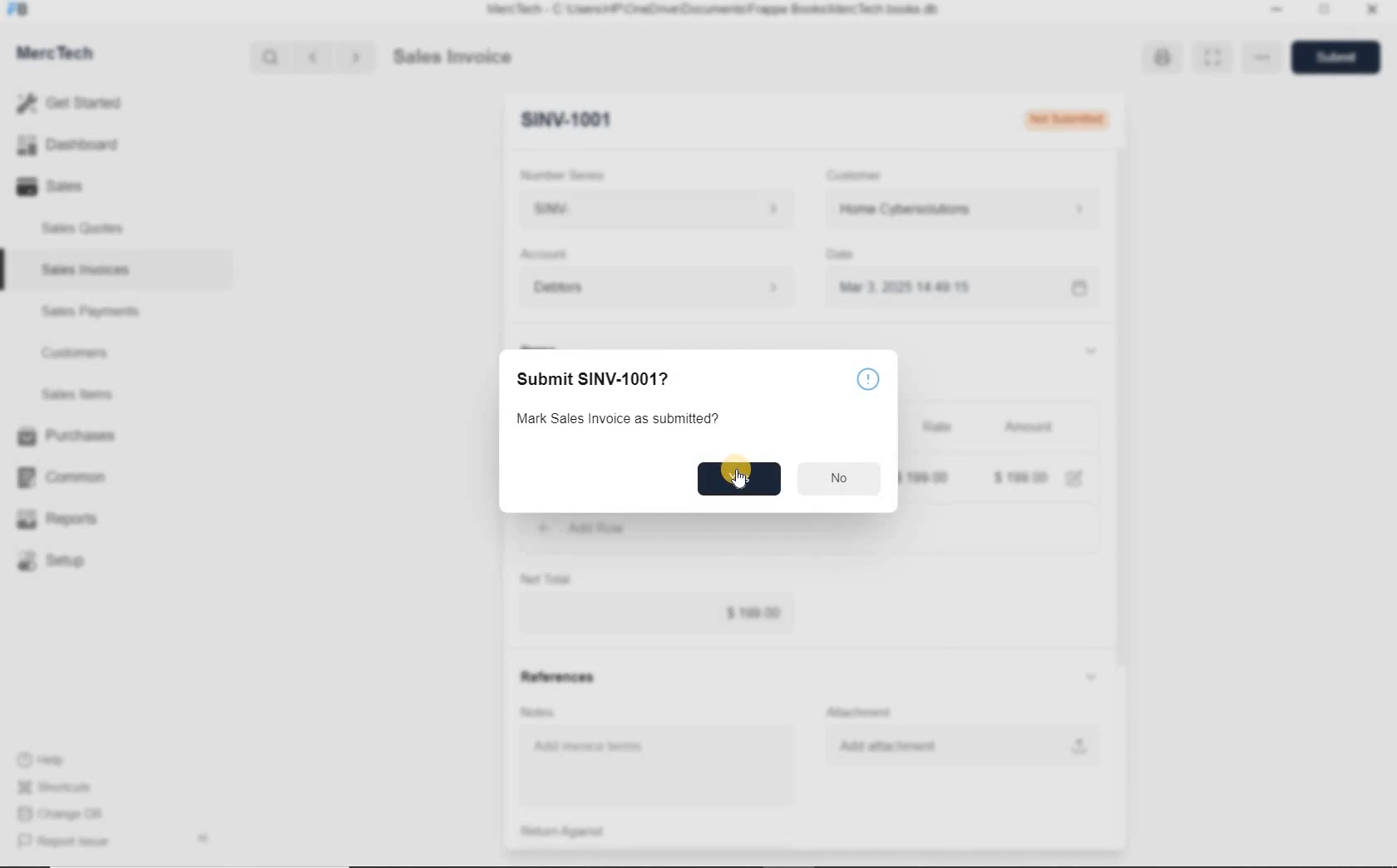 The height and width of the screenshot is (868, 1397). What do you see at coordinates (546, 579) in the screenshot?
I see `Net Total` at bounding box center [546, 579].